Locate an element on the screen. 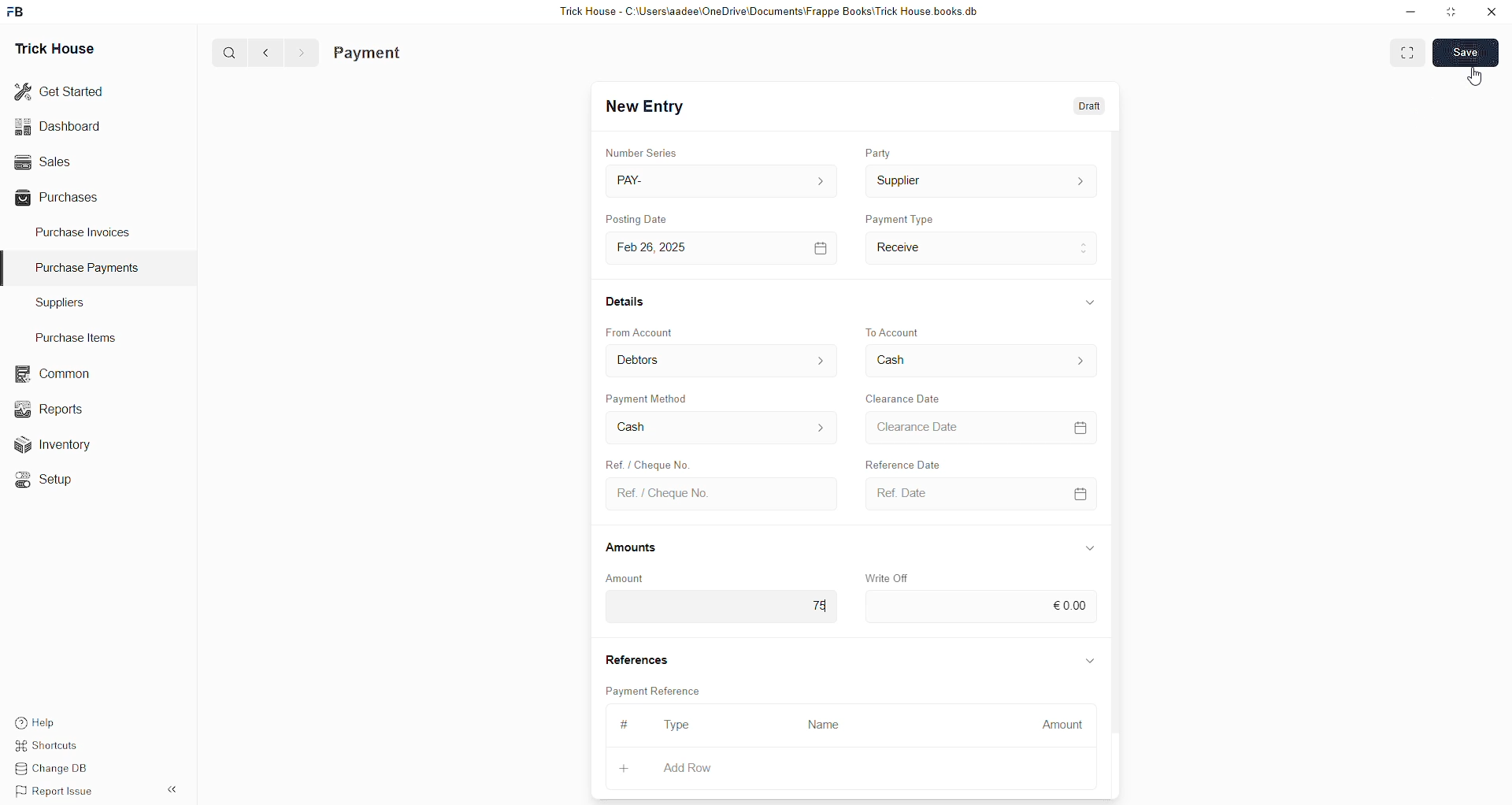  Shortcuts is located at coordinates (47, 746).